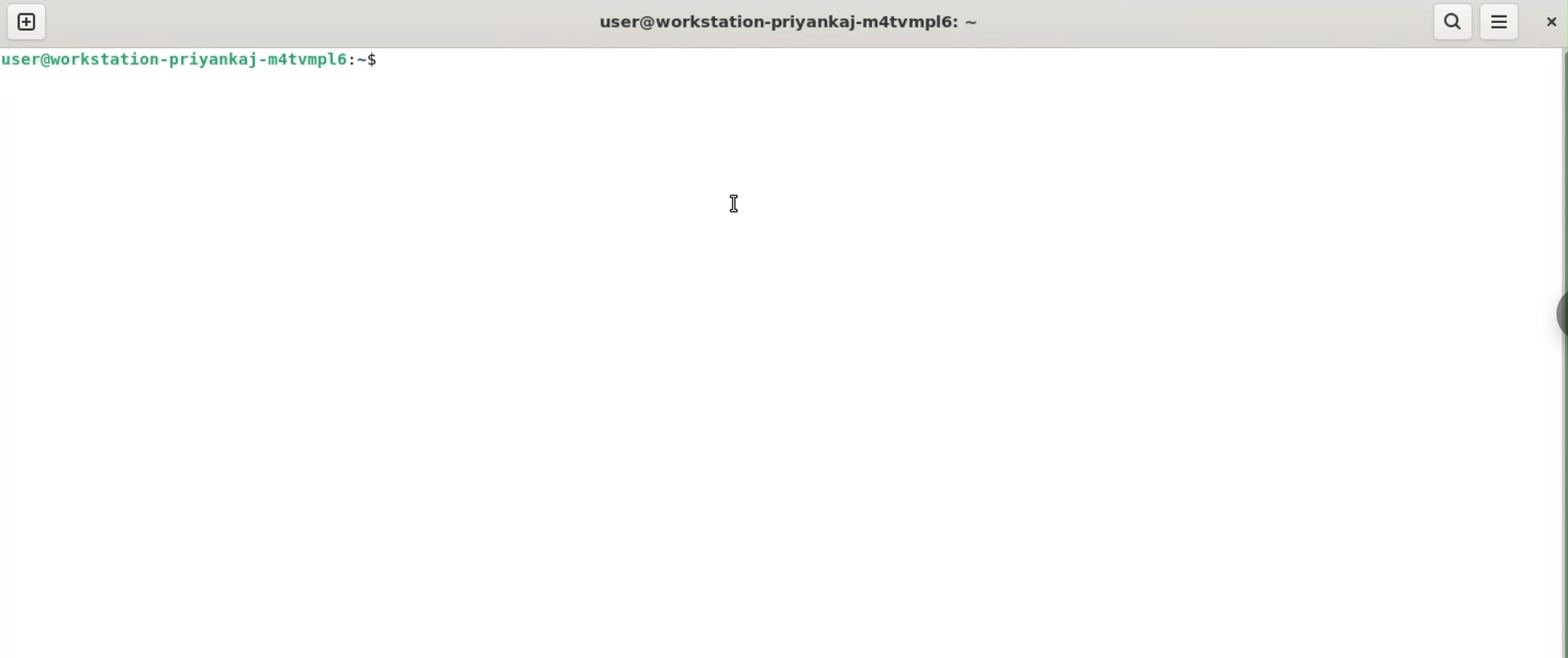  What do you see at coordinates (1558, 313) in the screenshot?
I see `sidebar` at bounding box center [1558, 313].